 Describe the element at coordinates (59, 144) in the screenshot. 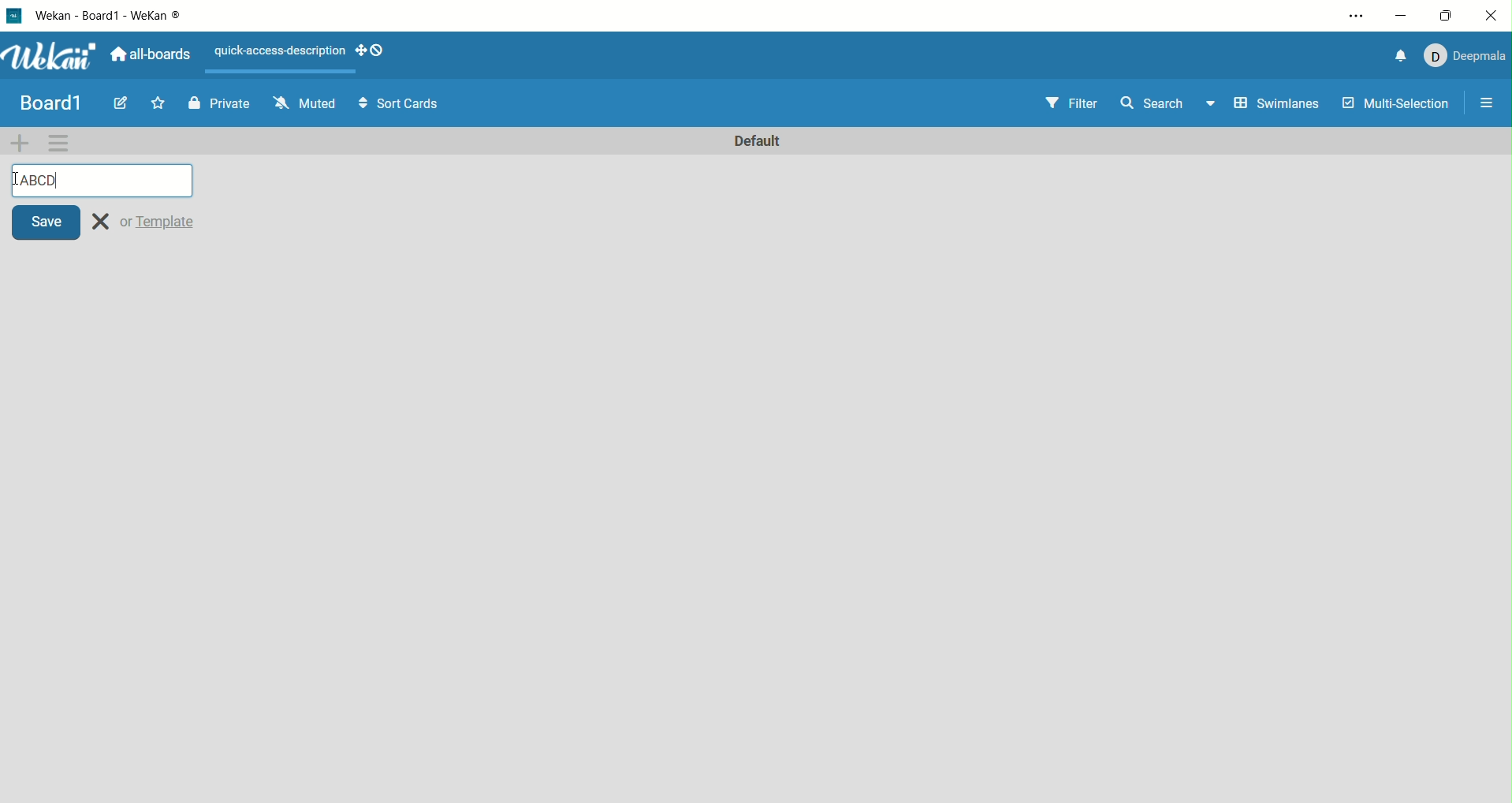

I see `swimlane actions` at that location.